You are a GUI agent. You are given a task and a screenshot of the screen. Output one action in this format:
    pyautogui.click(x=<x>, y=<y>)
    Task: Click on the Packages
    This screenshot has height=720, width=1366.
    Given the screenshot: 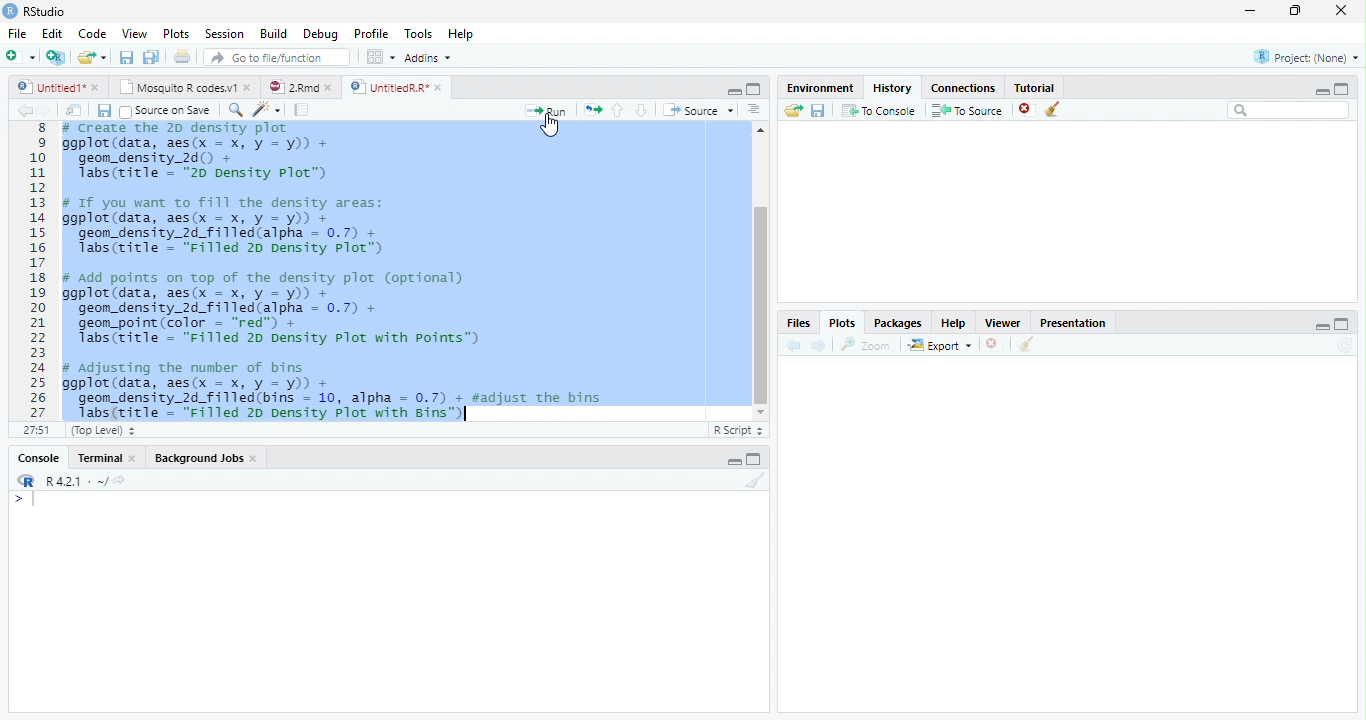 What is the action you would take?
    pyautogui.click(x=897, y=325)
    